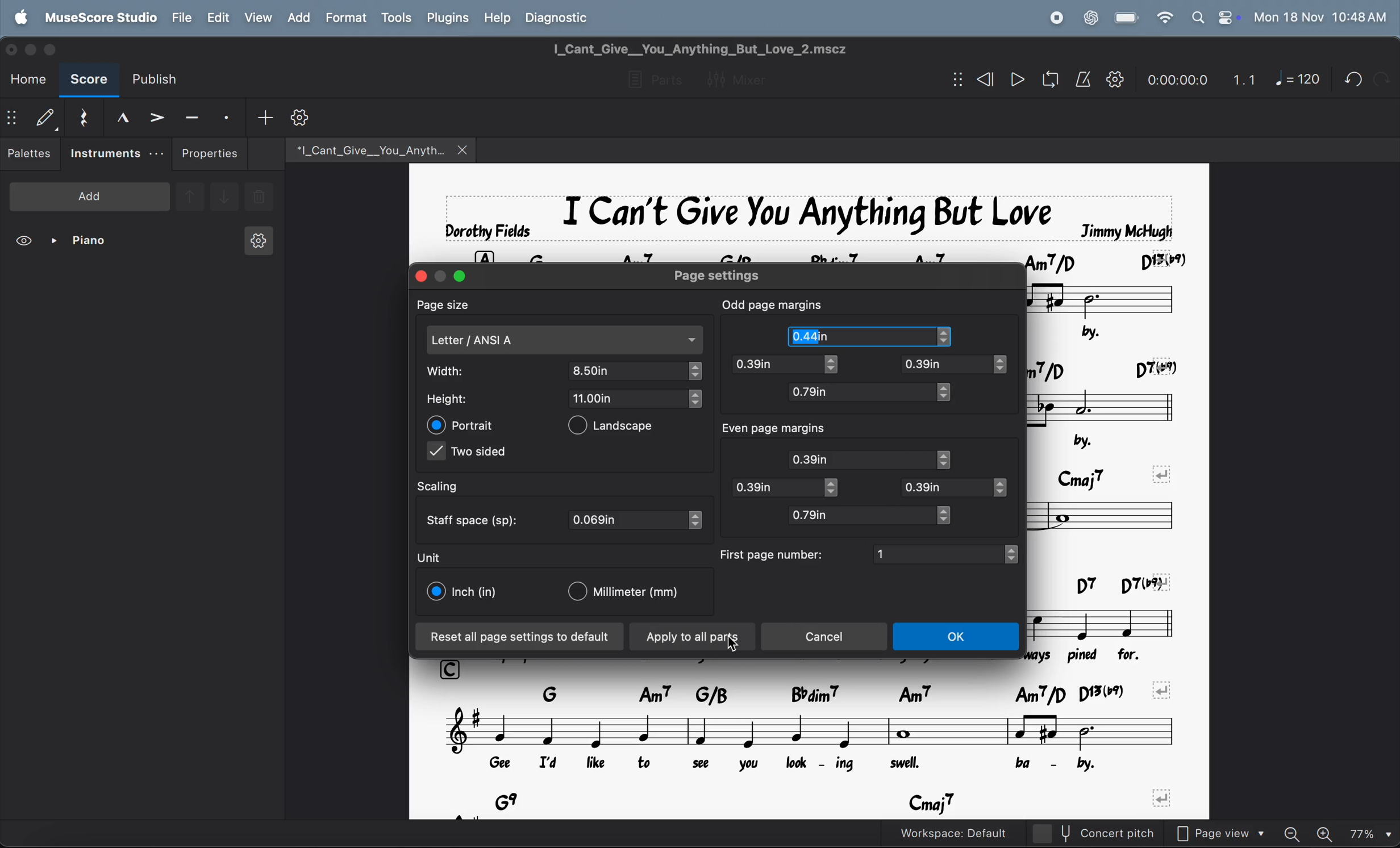 The width and height of the screenshot is (1400, 848). What do you see at coordinates (1127, 18) in the screenshot?
I see `battery` at bounding box center [1127, 18].